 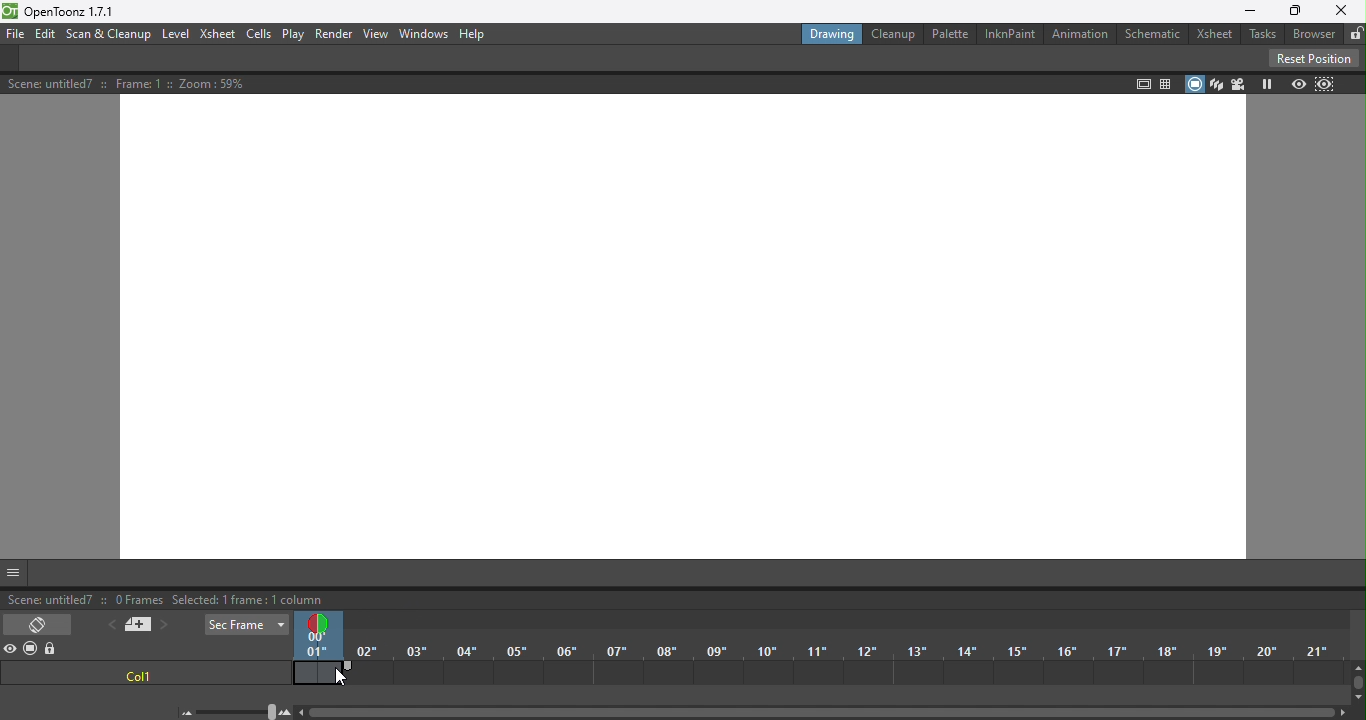 What do you see at coordinates (54, 650) in the screenshot?
I see `Lock toggle all` at bounding box center [54, 650].